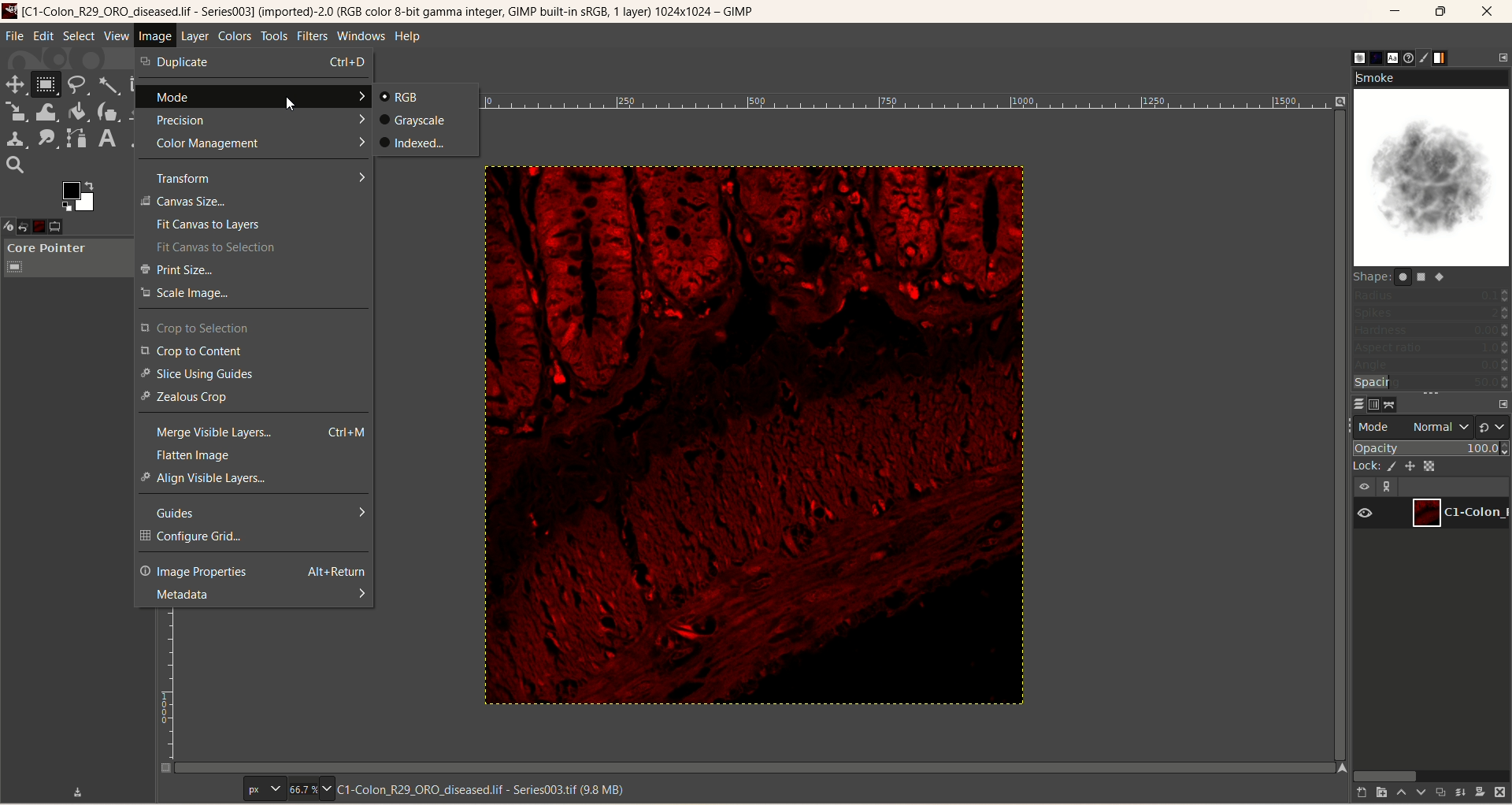  Describe the element at coordinates (61, 259) in the screenshot. I see `core pointer` at that location.